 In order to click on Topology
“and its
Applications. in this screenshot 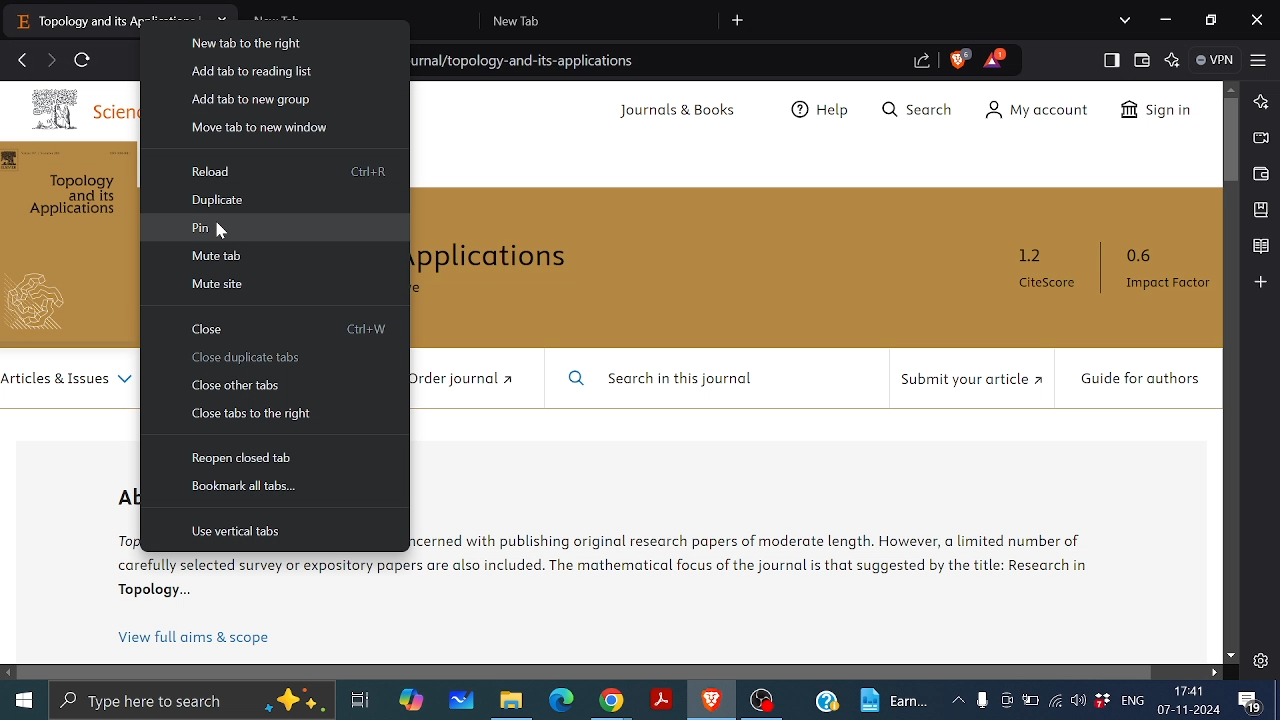, I will do `click(77, 197)`.